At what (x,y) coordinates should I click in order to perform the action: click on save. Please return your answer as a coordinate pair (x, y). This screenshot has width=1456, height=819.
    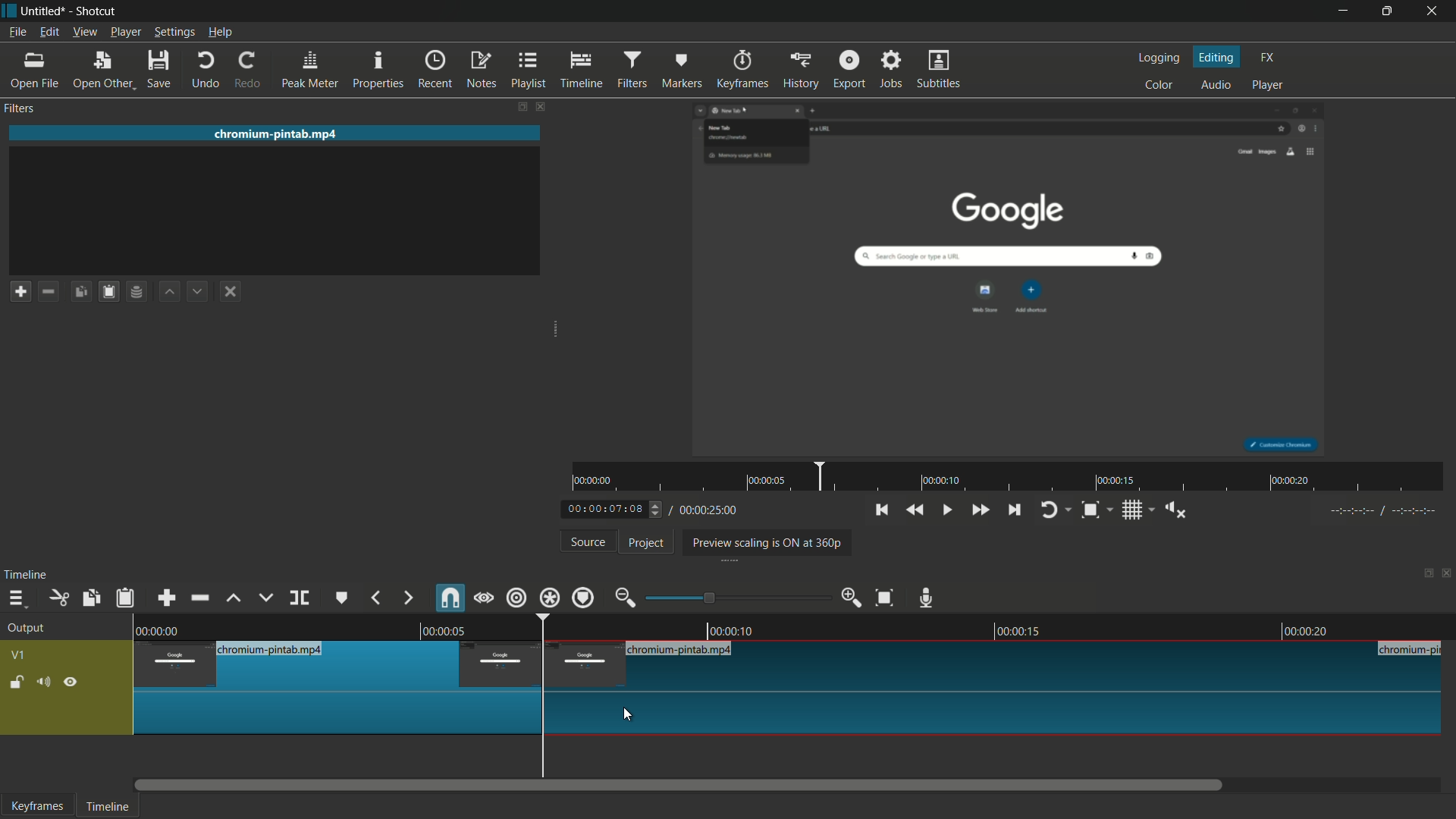
    Looking at the image, I should click on (160, 69).